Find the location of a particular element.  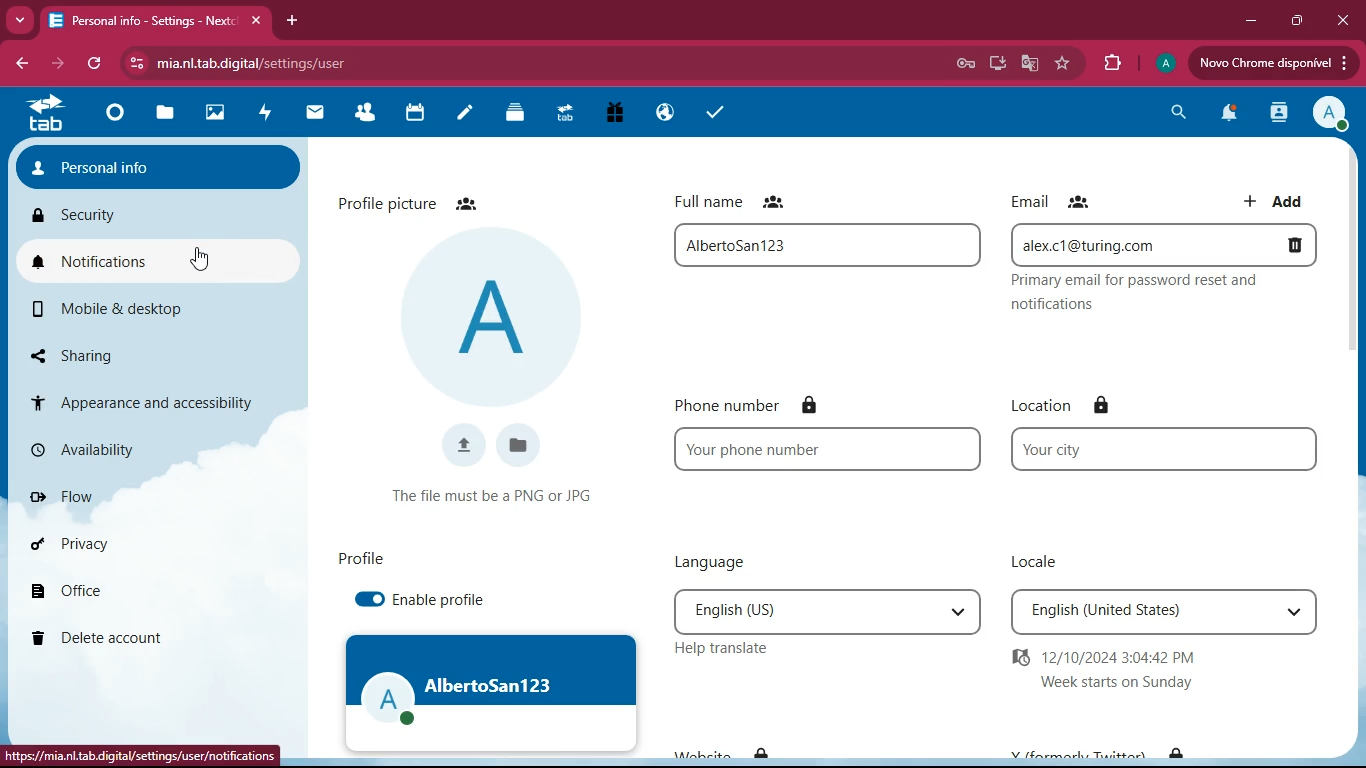

more is located at coordinates (19, 21).